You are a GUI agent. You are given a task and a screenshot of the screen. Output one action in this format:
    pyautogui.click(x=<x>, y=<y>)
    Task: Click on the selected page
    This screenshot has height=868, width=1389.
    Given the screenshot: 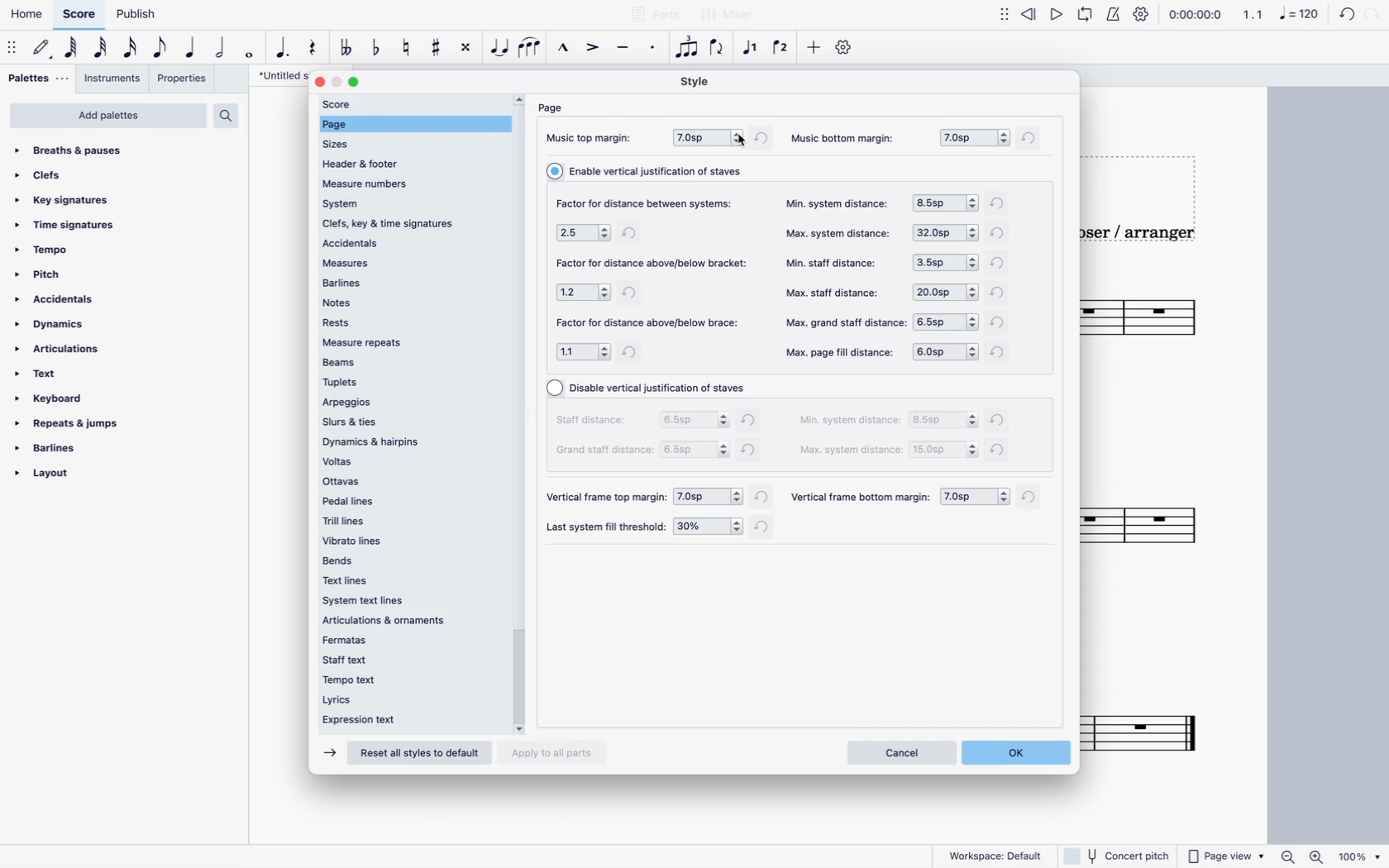 What is the action you would take?
    pyautogui.click(x=414, y=124)
    